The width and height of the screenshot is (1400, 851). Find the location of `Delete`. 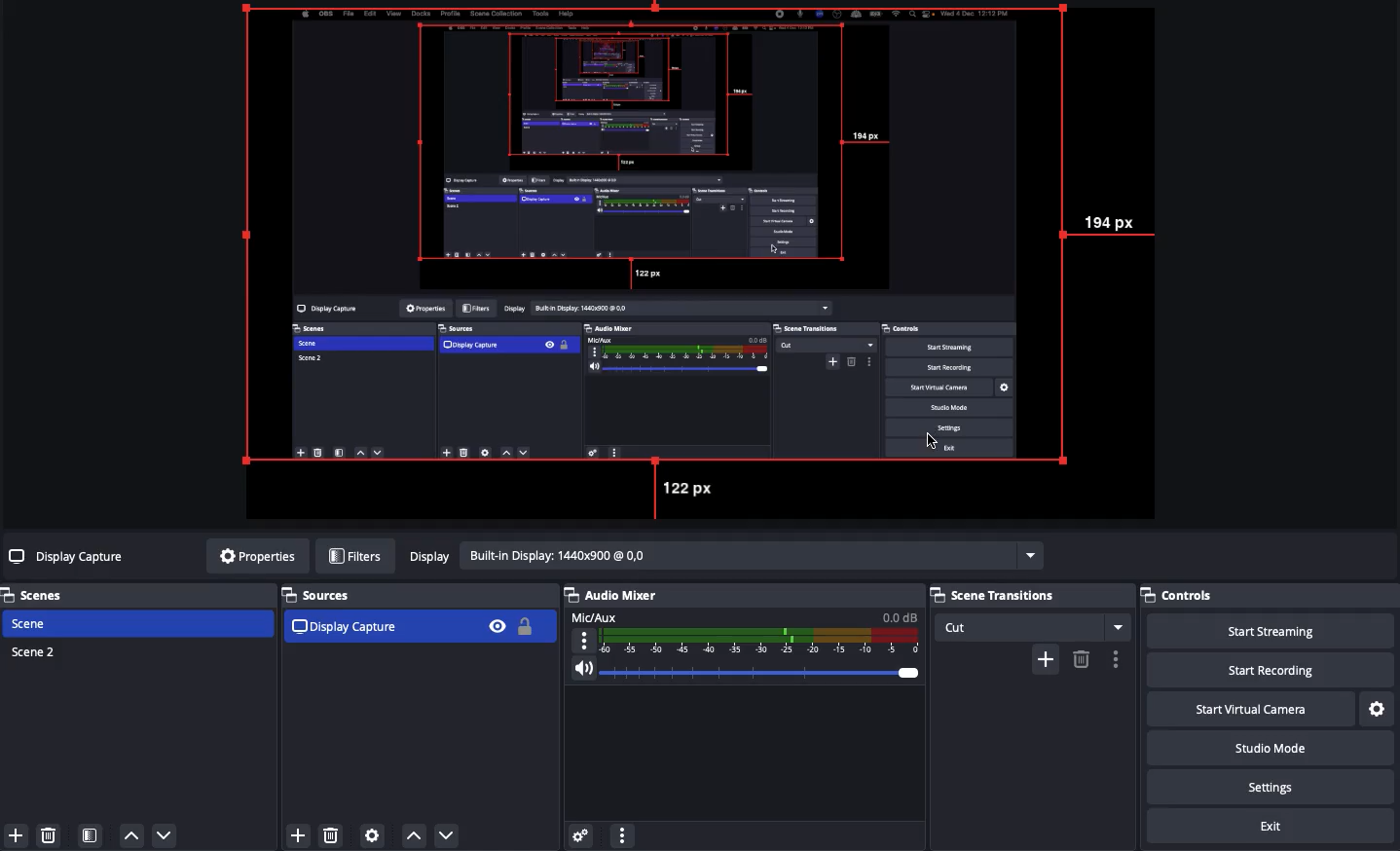

Delete is located at coordinates (52, 834).